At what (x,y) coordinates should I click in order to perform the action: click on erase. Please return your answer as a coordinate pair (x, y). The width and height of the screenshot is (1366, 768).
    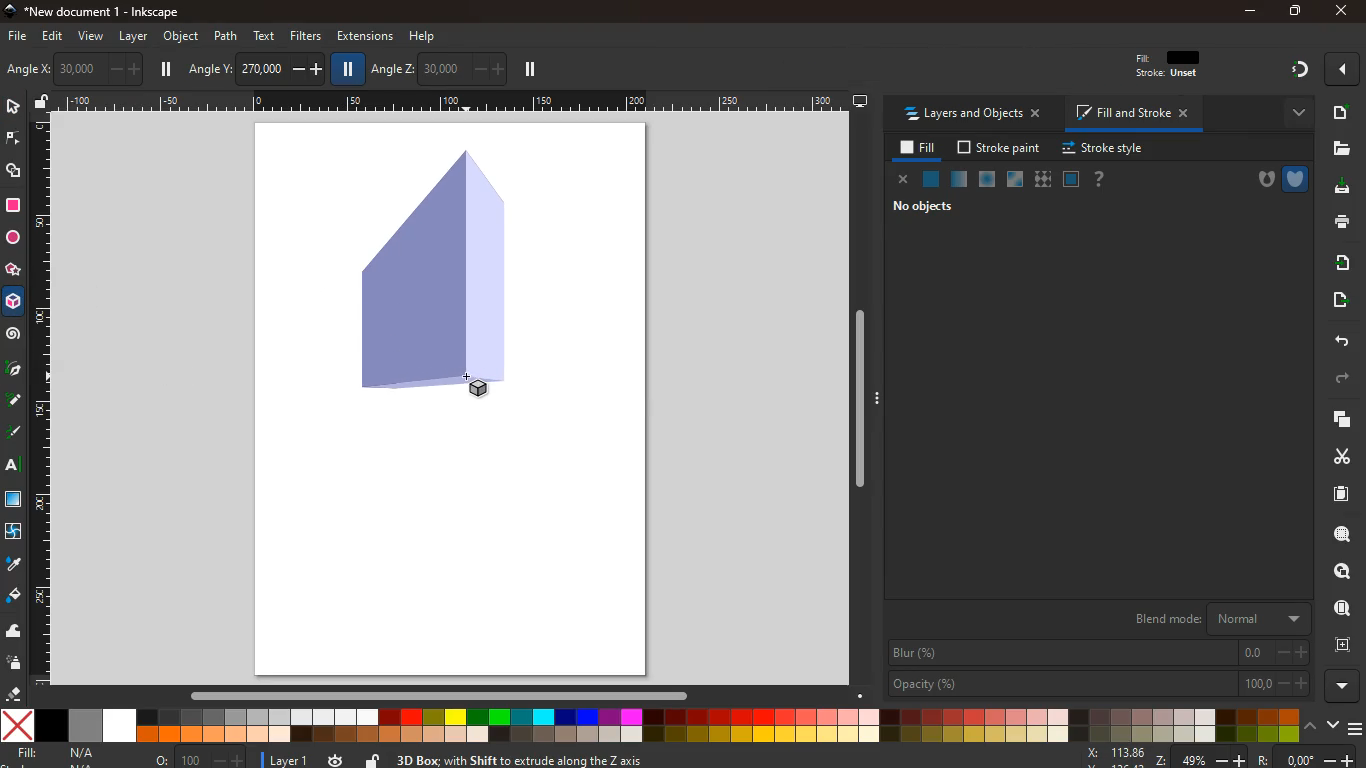
    Looking at the image, I should click on (15, 694).